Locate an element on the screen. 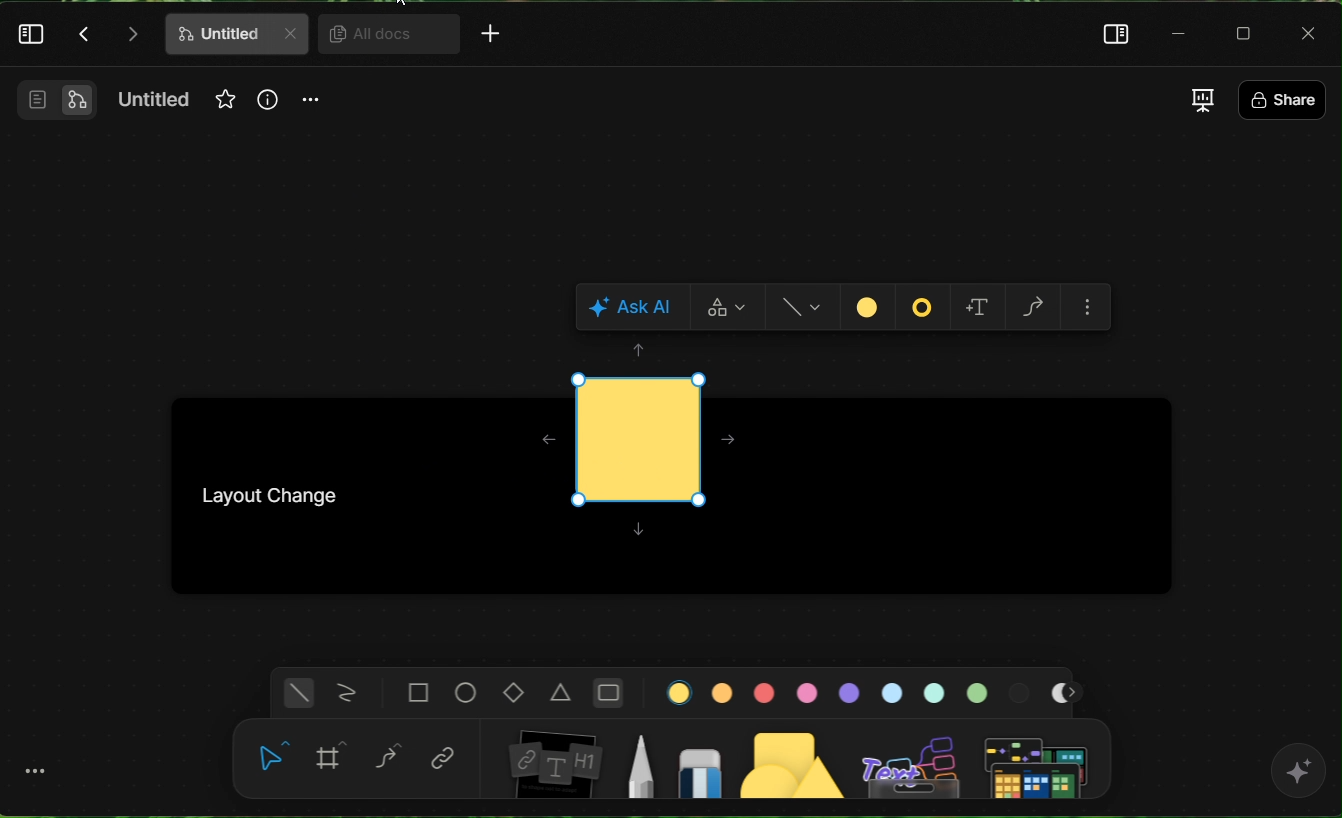 The height and width of the screenshot is (818, 1342). select is located at coordinates (271, 764).